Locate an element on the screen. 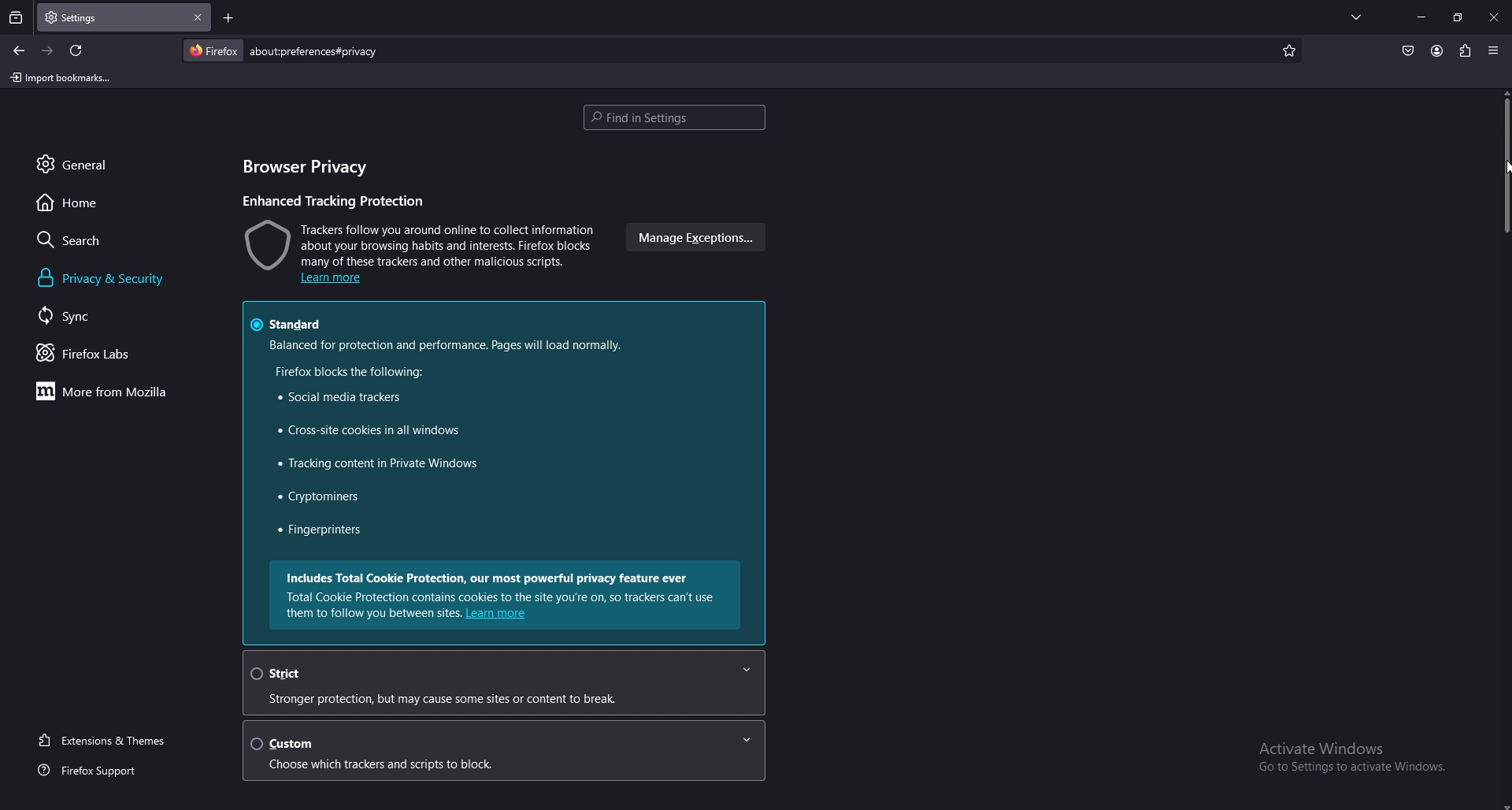 This screenshot has width=1512, height=810. firefox is located at coordinates (213, 50).